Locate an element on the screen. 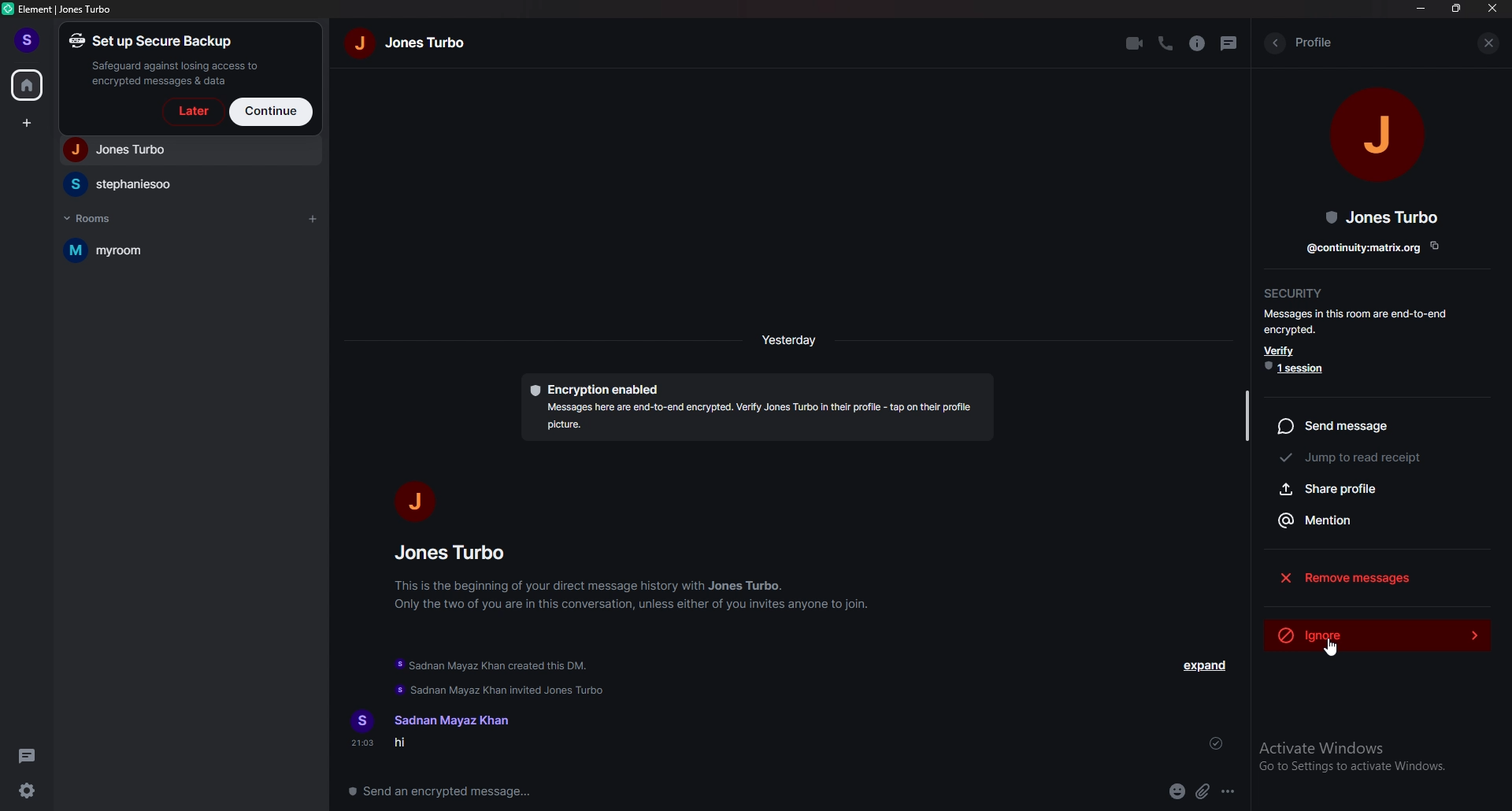 This screenshot has height=811, width=1512. add room is located at coordinates (312, 220).